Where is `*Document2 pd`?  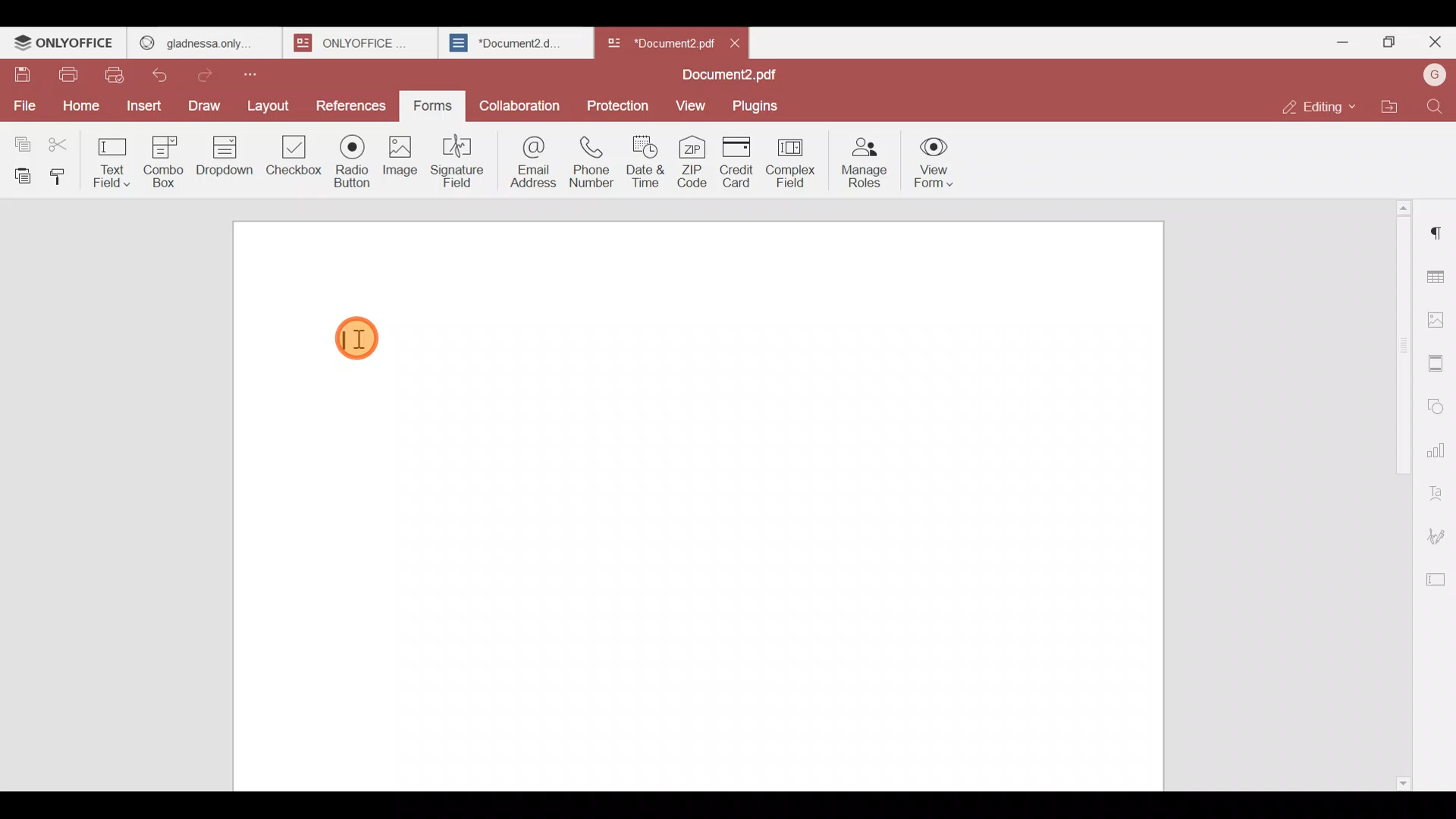 *Document2 pd is located at coordinates (657, 42).